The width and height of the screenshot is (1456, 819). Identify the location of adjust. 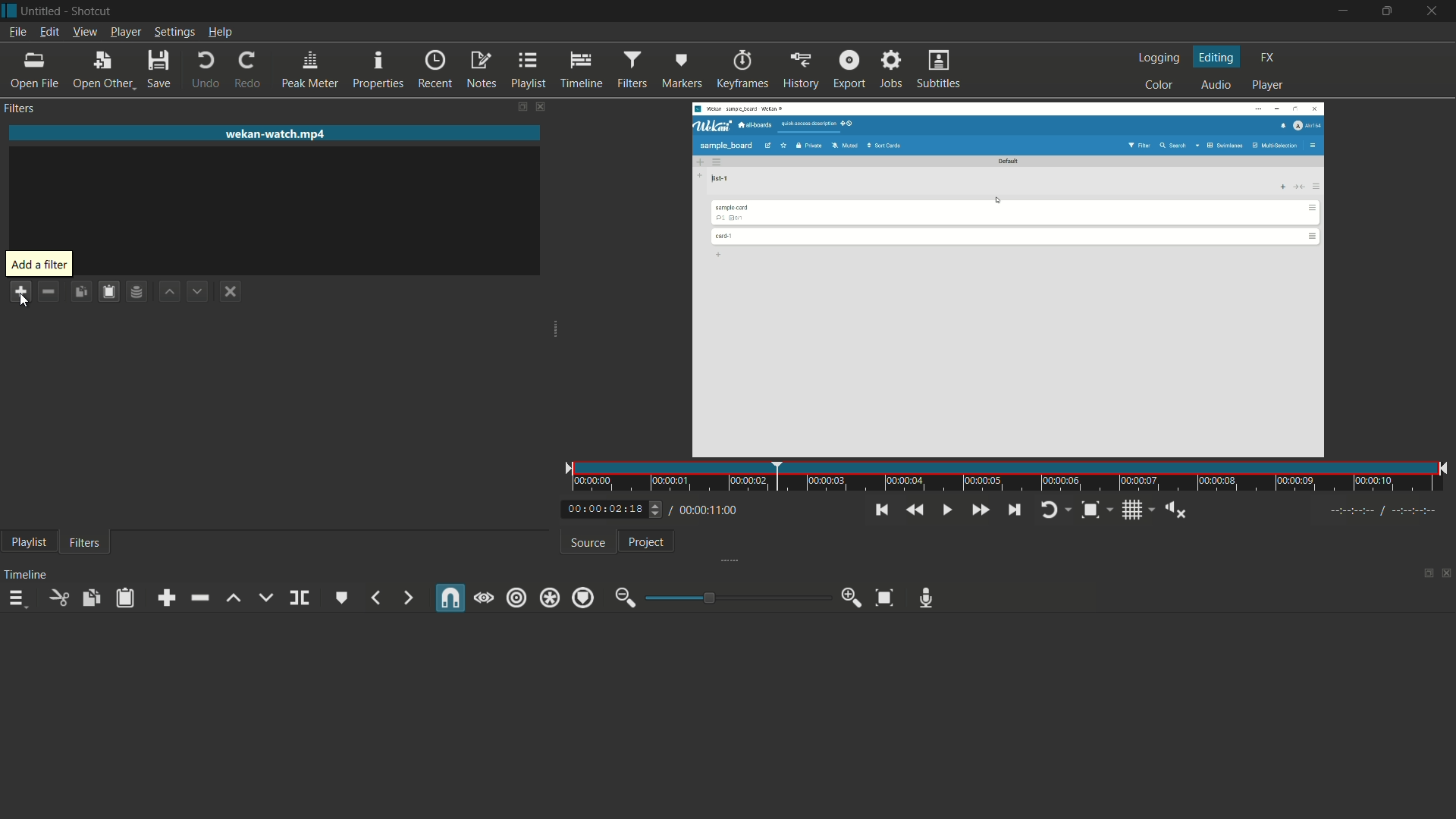
(651, 509).